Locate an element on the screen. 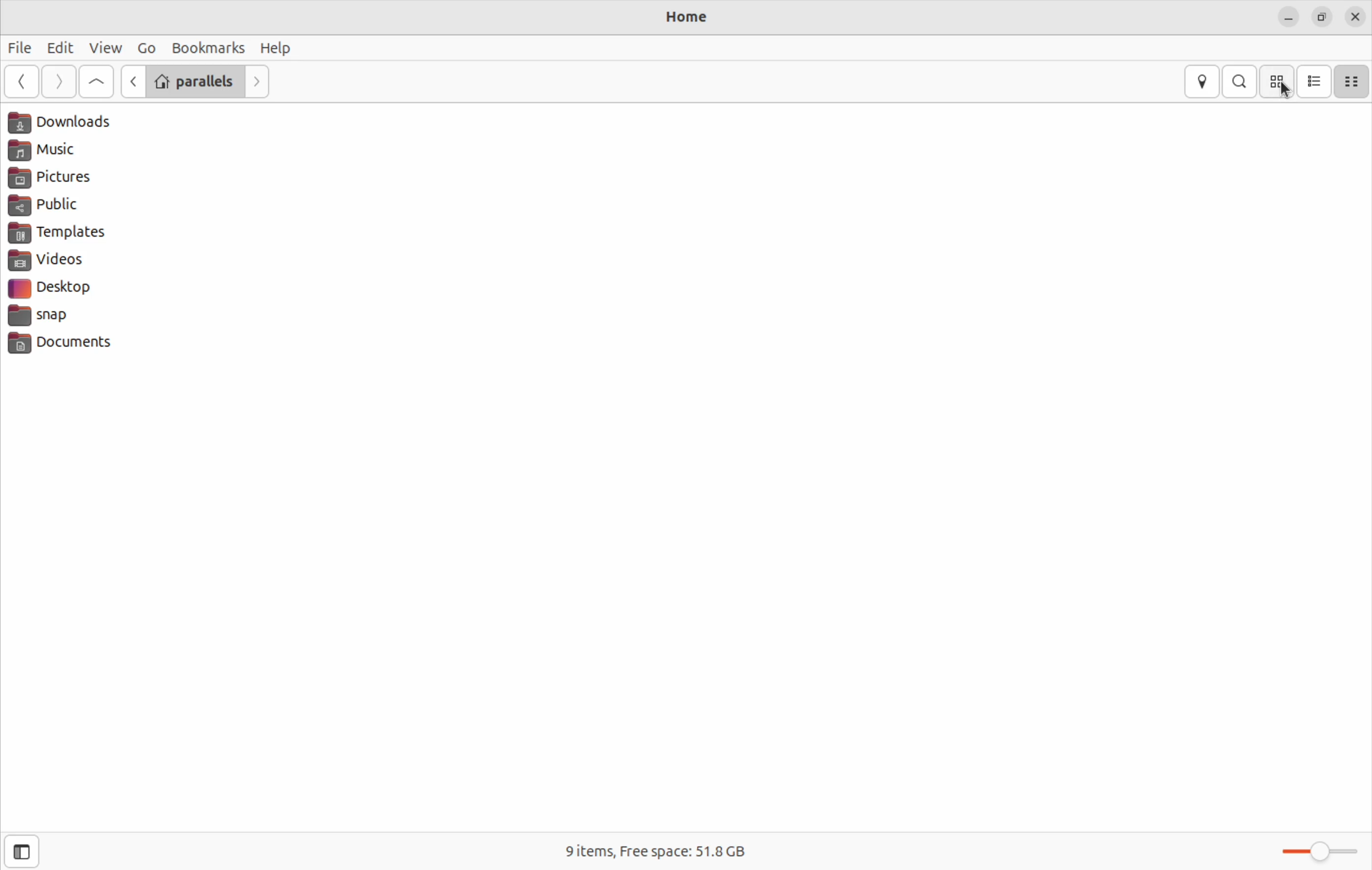 The height and width of the screenshot is (870, 1372). view is located at coordinates (103, 46).